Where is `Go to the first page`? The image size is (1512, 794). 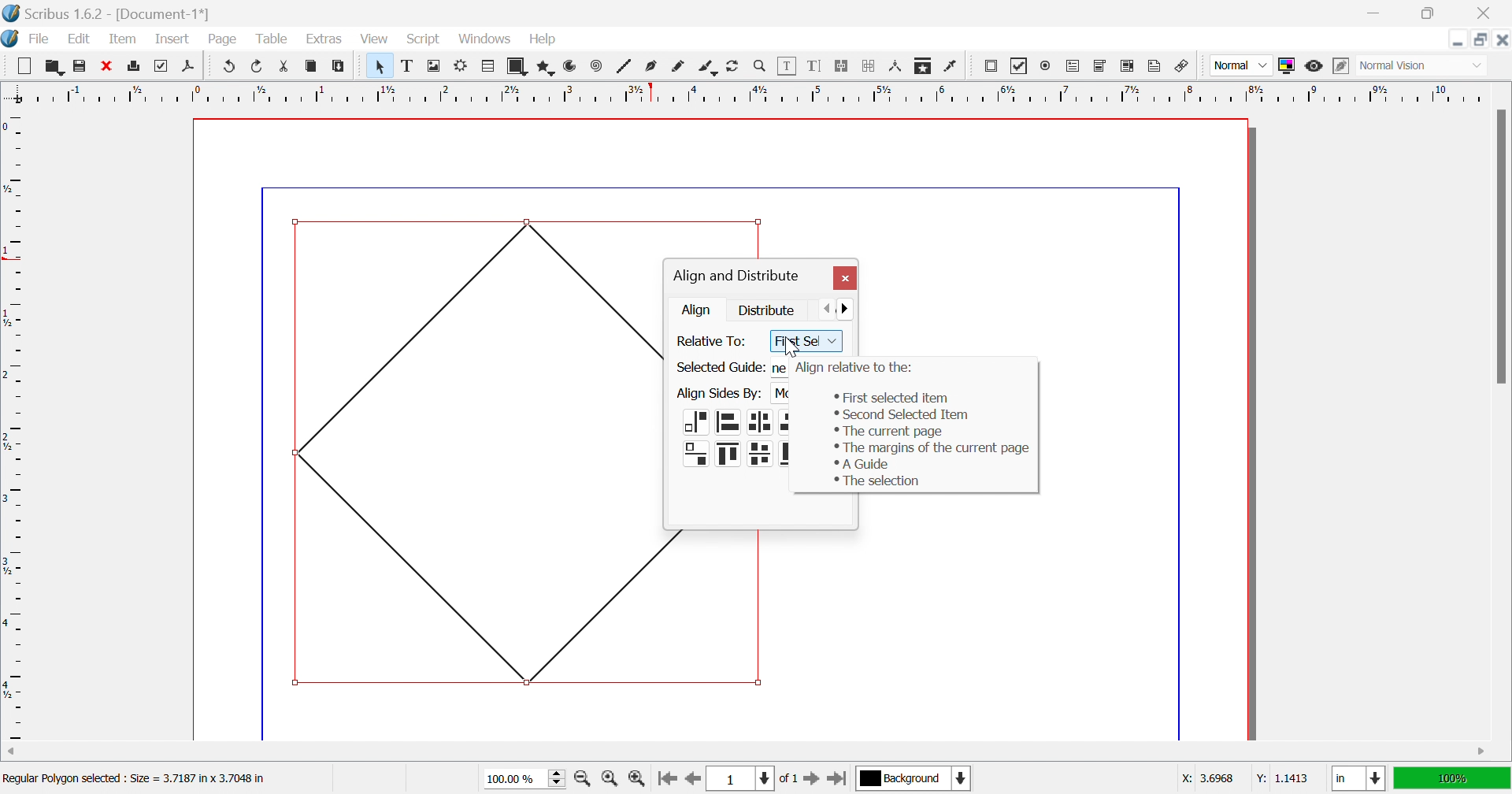 Go to the first page is located at coordinates (666, 783).